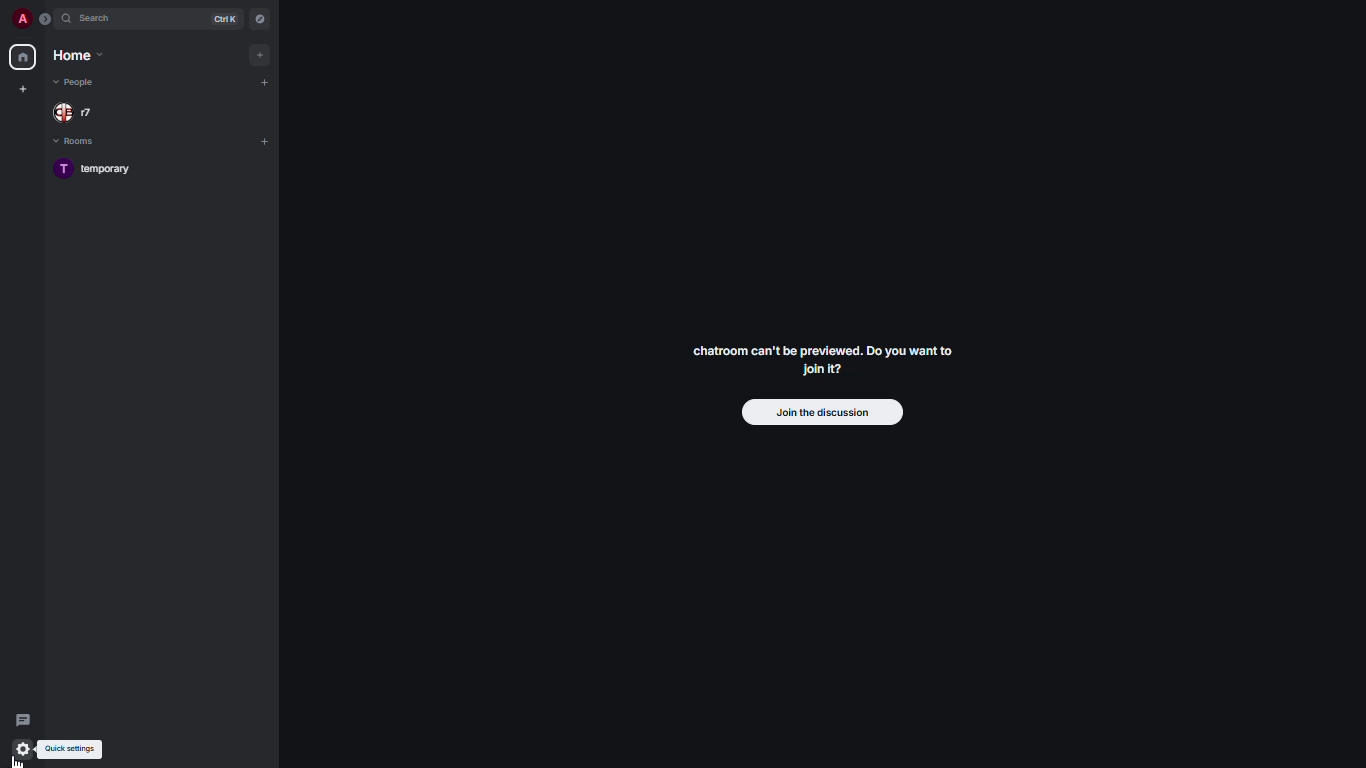  What do you see at coordinates (264, 139) in the screenshot?
I see `add` at bounding box center [264, 139].